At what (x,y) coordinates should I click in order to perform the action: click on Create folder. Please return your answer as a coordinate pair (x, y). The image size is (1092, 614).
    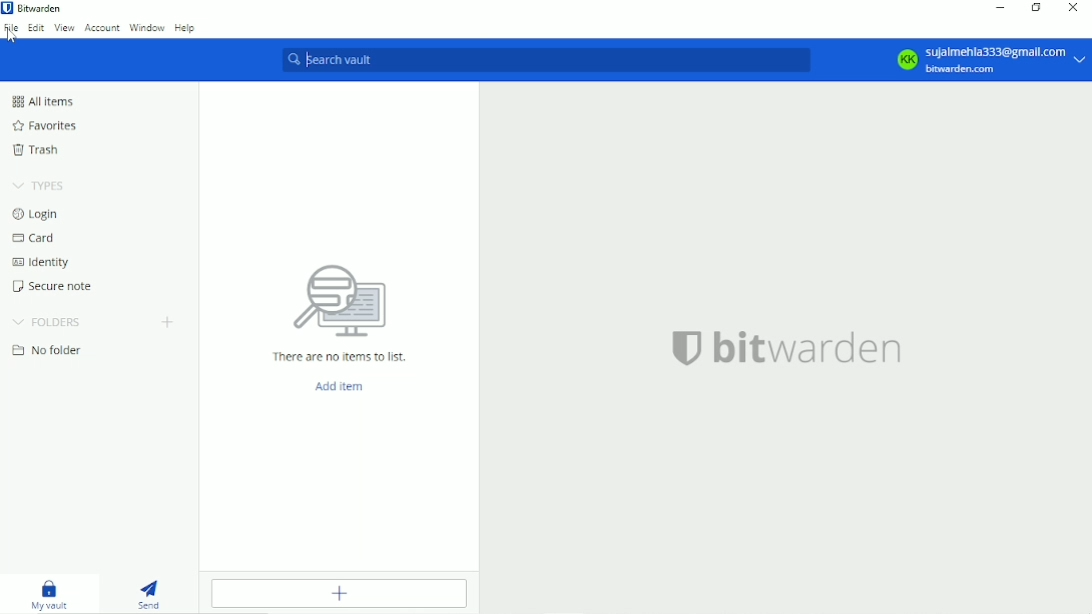
    Looking at the image, I should click on (167, 323).